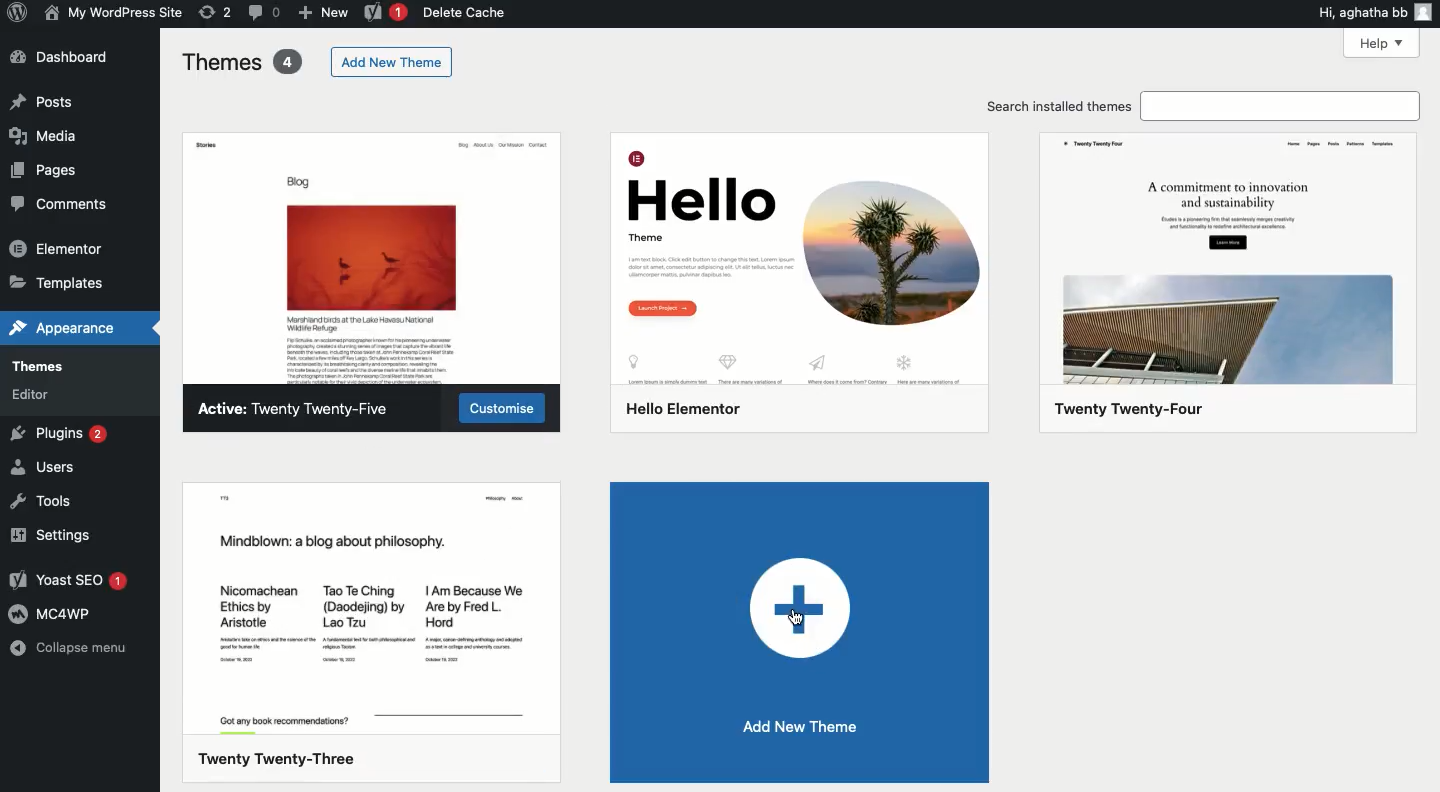  What do you see at coordinates (51, 537) in the screenshot?
I see `Settings` at bounding box center [51, 537].